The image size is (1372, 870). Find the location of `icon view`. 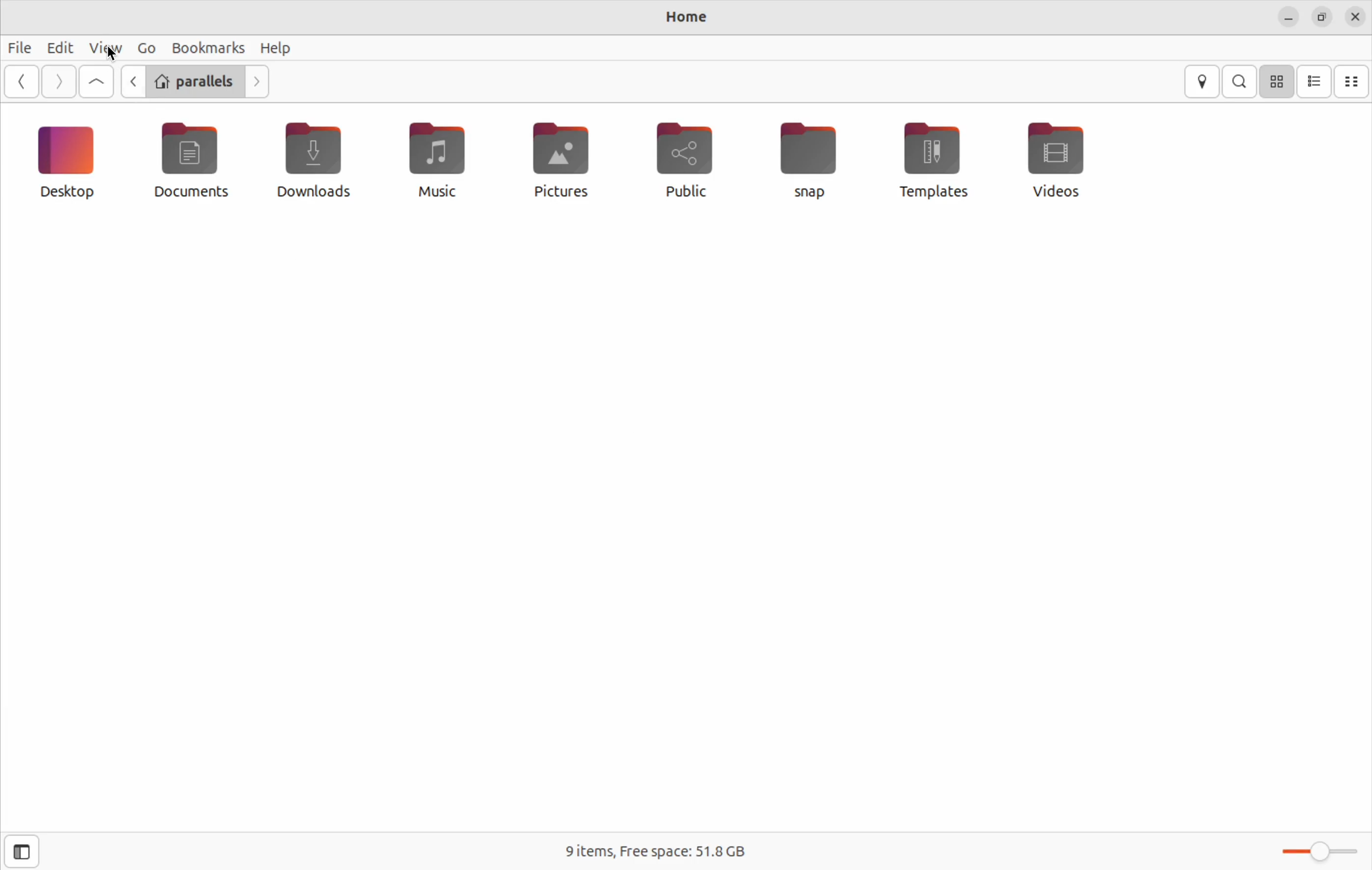

icon view is located at coordinates (1278, 80).